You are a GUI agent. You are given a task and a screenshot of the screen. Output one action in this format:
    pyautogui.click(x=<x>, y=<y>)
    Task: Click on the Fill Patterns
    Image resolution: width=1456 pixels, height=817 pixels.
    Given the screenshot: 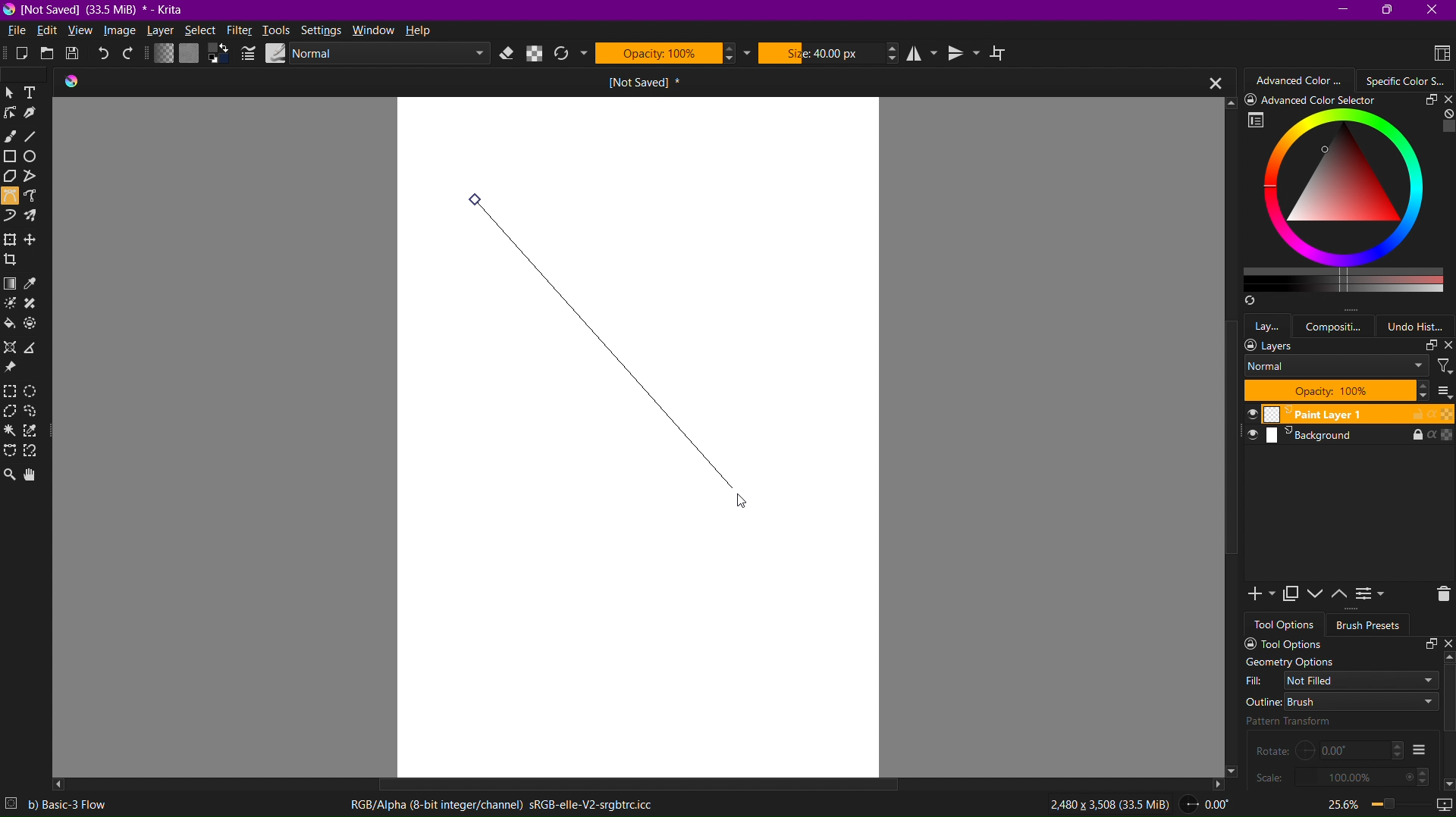 What is the action you would take?
    pyautogui.click(x=189, y=55)
    